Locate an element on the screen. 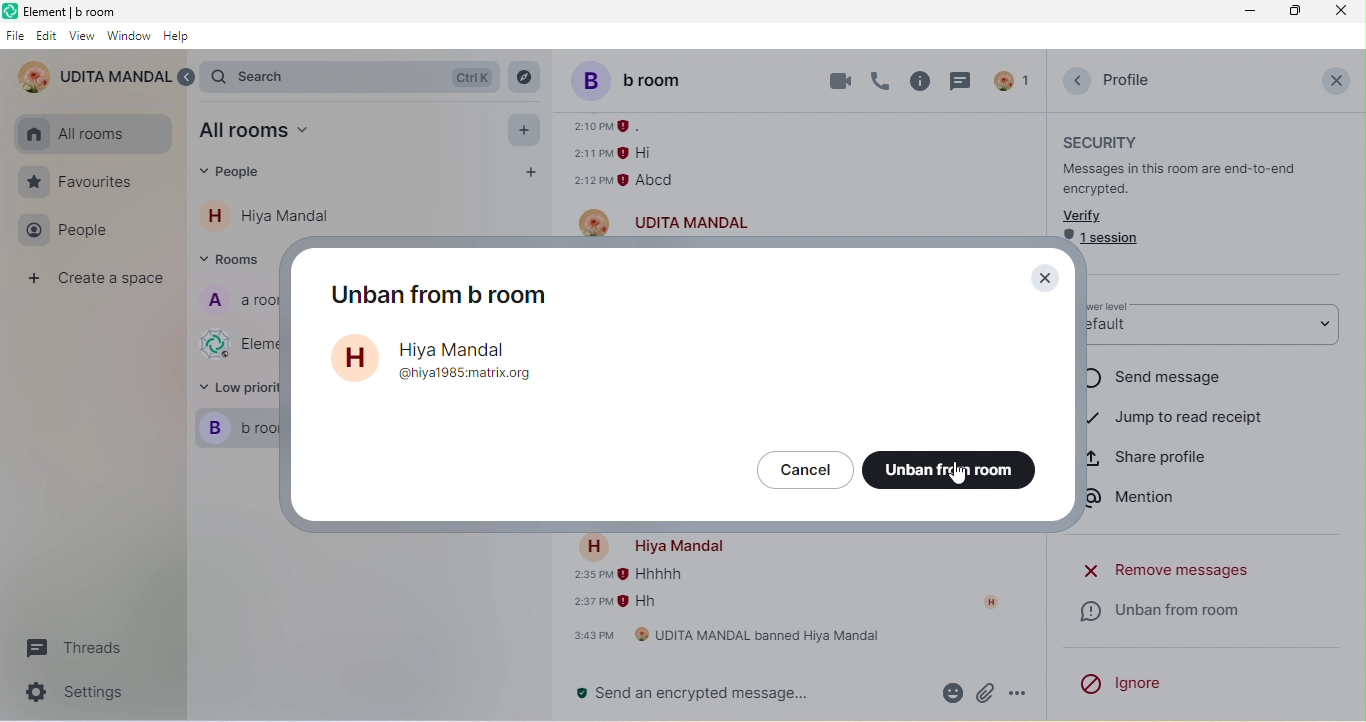 The image size is (1366, 722). remove messages is located at coordinates (1172, 568).